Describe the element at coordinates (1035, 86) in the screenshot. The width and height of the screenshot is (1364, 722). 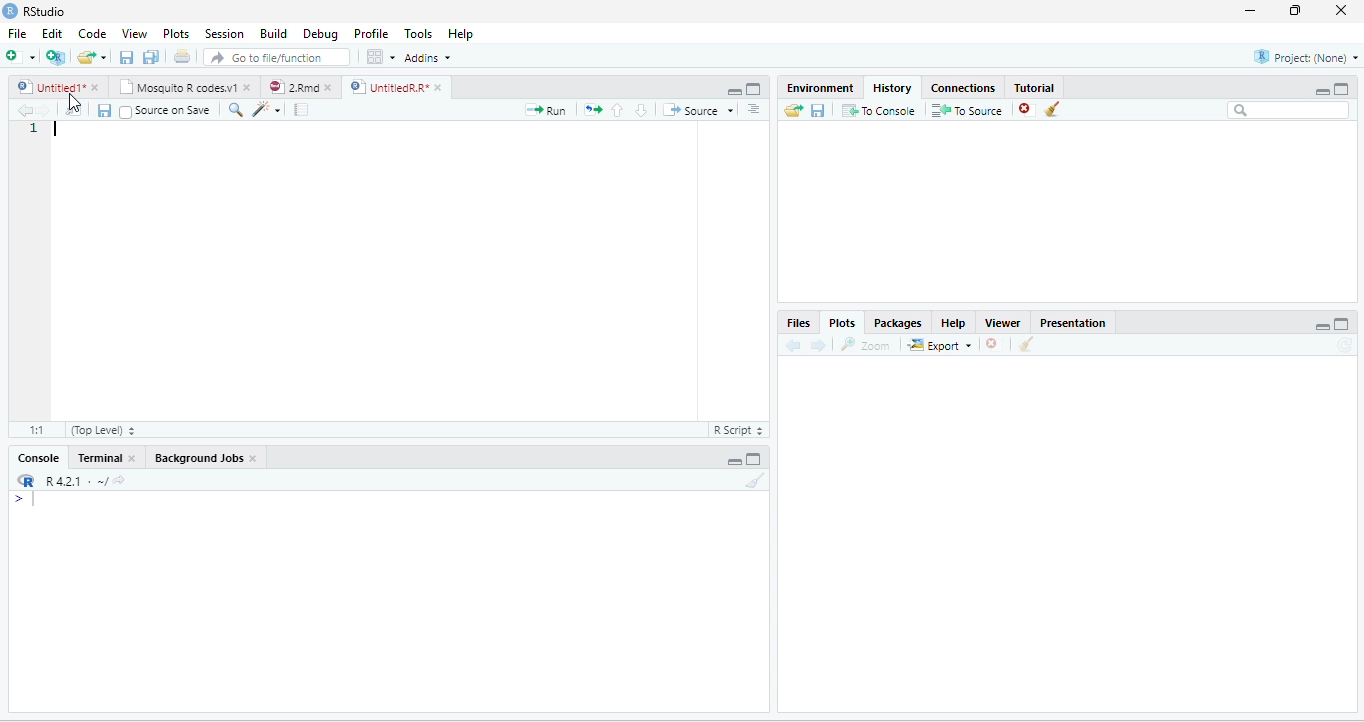
I see `Tutorial` at that location.